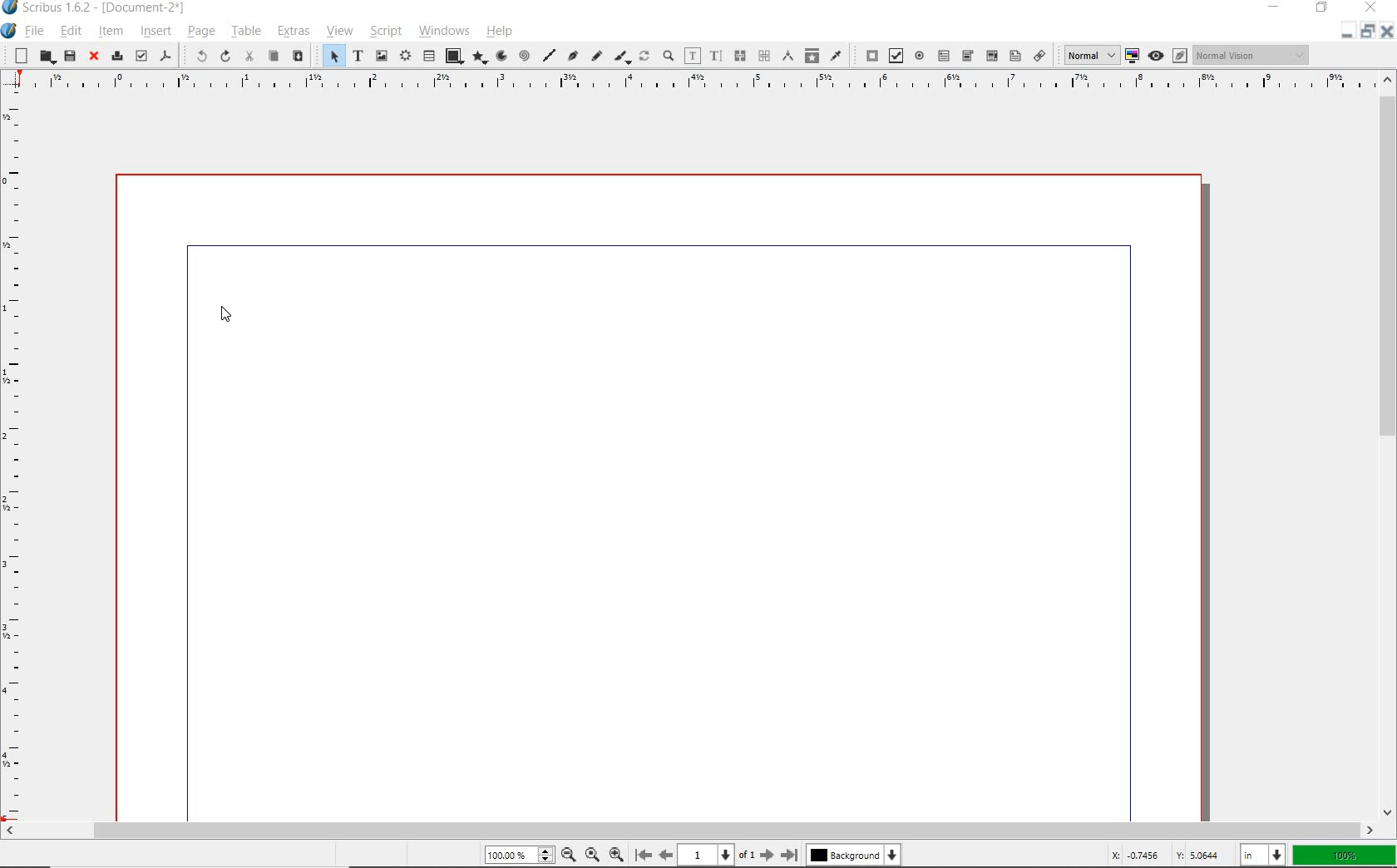 The image size is (1397, 868). Describe the element at coordinates (332, 55) in the screenshot. I see `select item` at that location.